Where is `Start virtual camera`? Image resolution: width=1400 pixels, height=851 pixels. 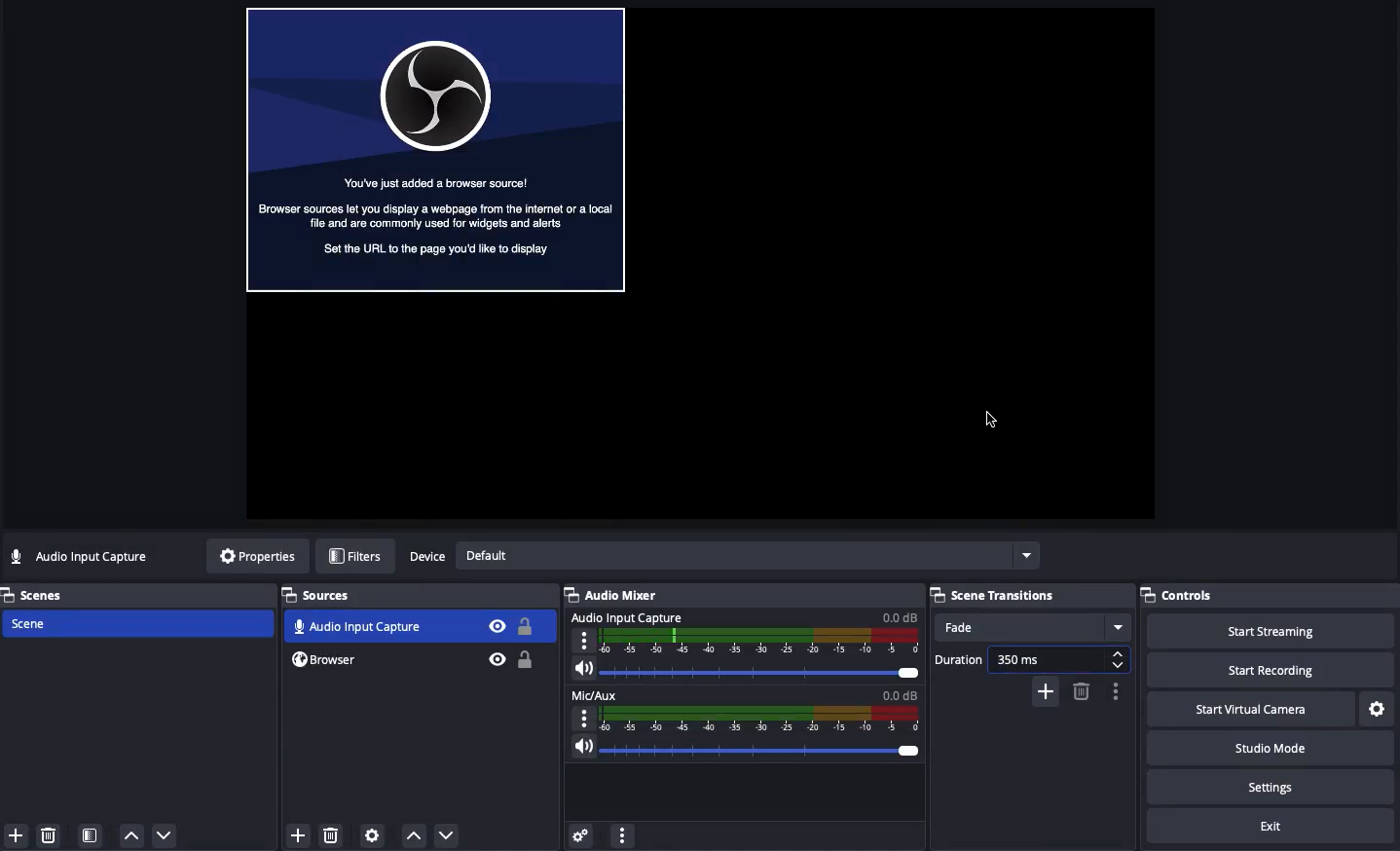 Start virtual camera is located at coordinates (1246, 710).